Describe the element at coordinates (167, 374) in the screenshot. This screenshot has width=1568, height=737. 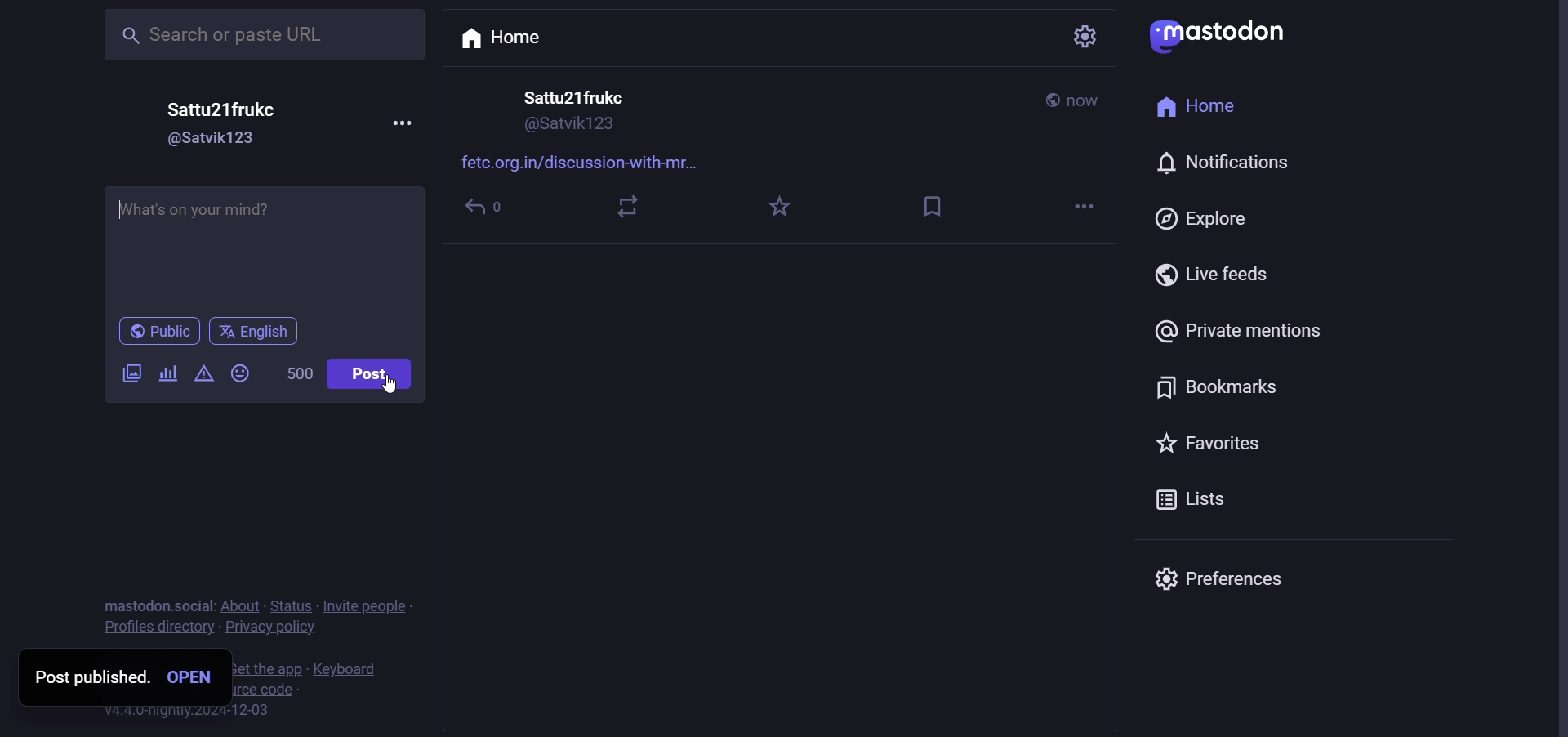
I see `poll` at that location.